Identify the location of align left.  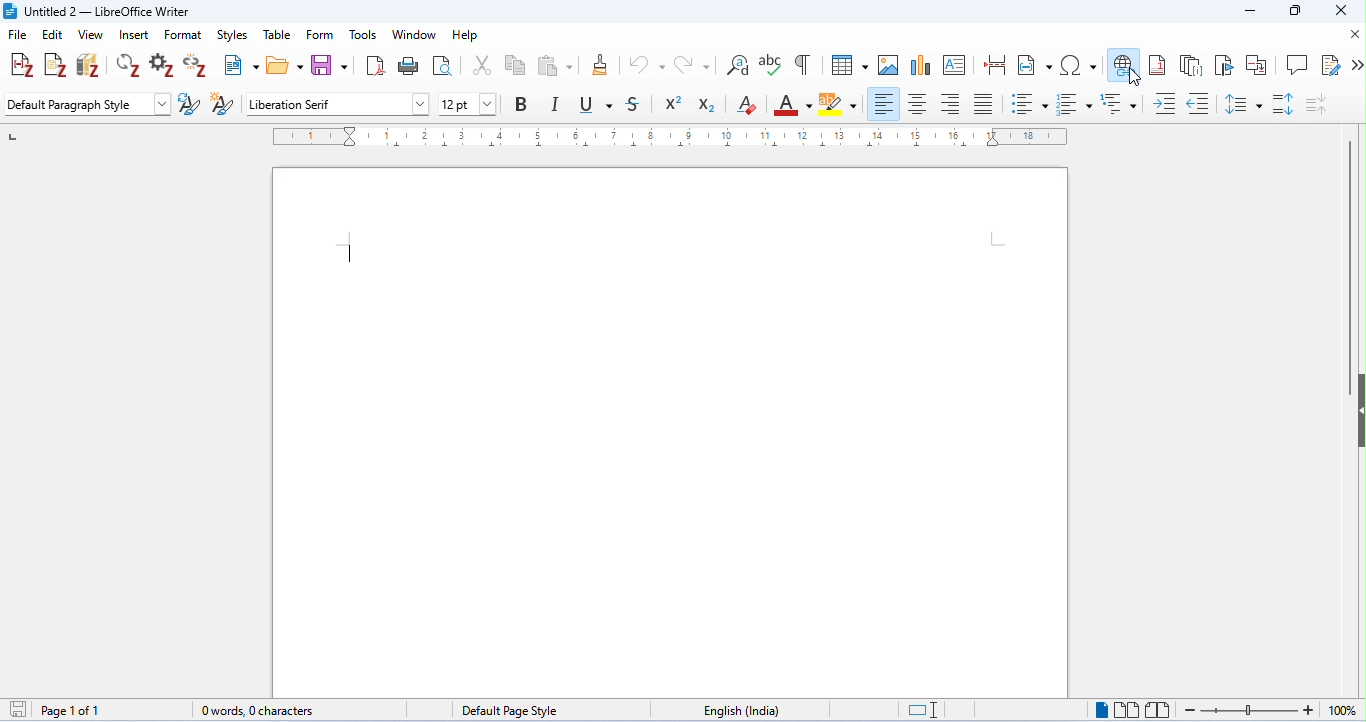
(884, 104).